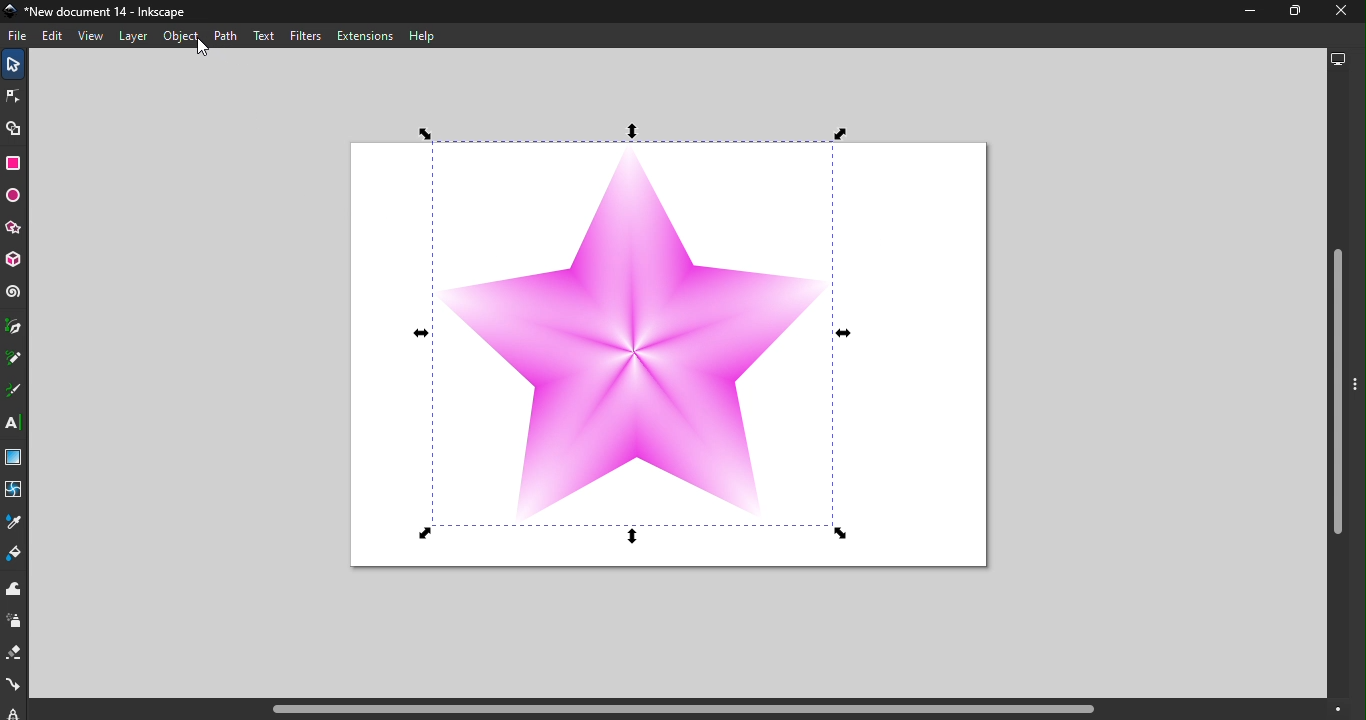  Describe the element at coordinates (13, 521) in the screenshot. I see `Dropper tool` at that location.